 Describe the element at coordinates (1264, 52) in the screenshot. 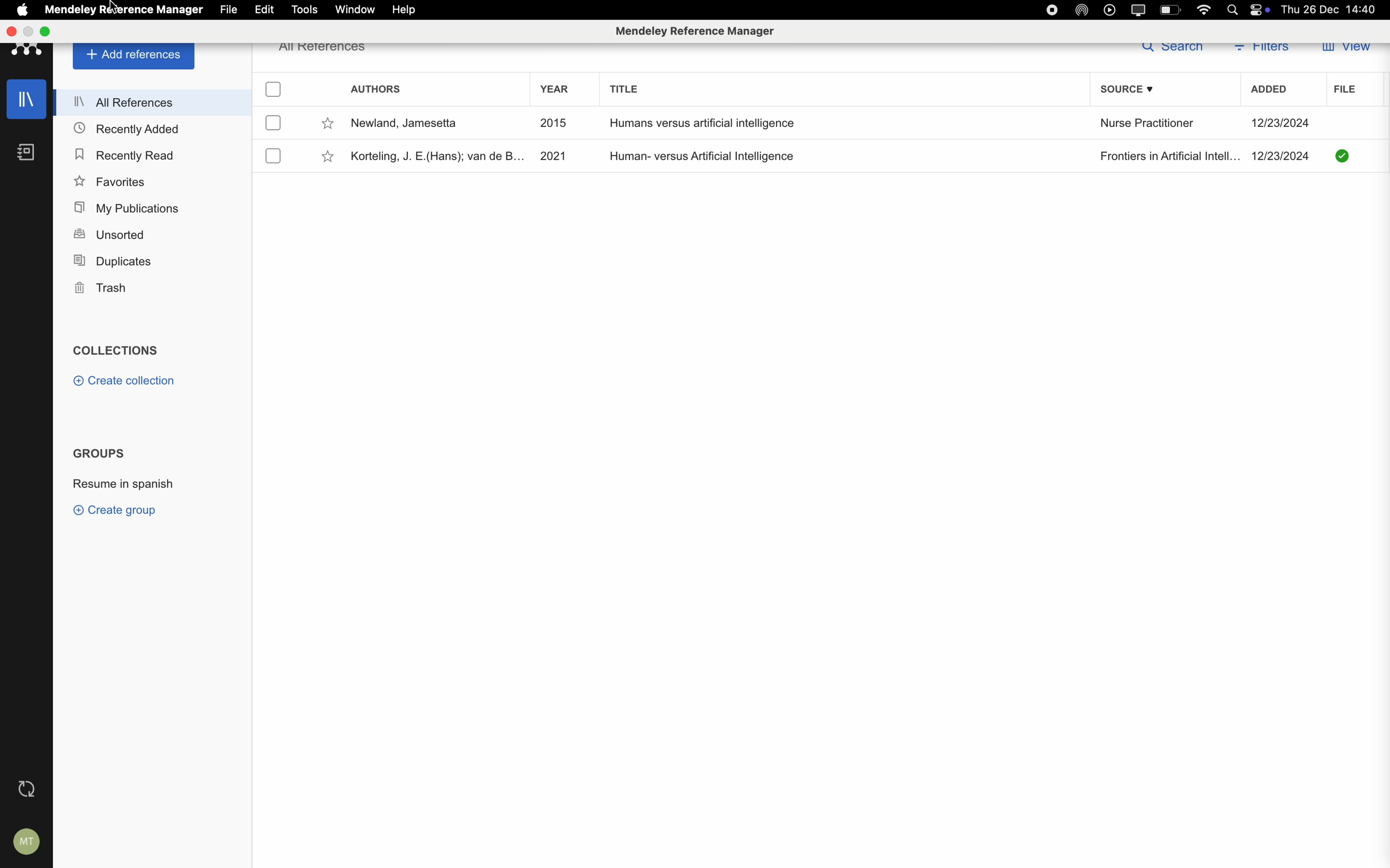

I see `filters` at that location.